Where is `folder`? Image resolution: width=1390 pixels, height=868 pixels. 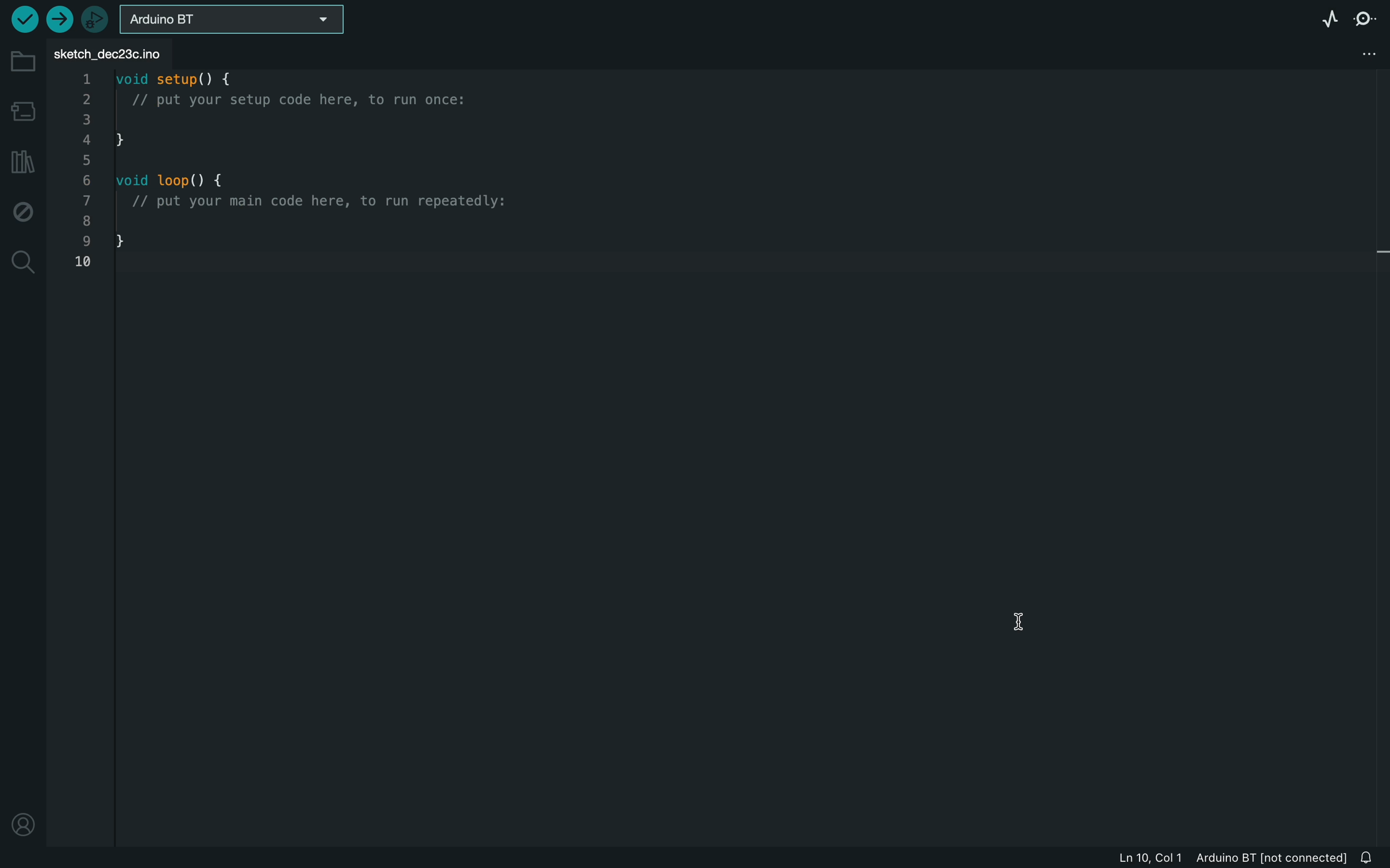 folder is located at coordinates (20, 65).